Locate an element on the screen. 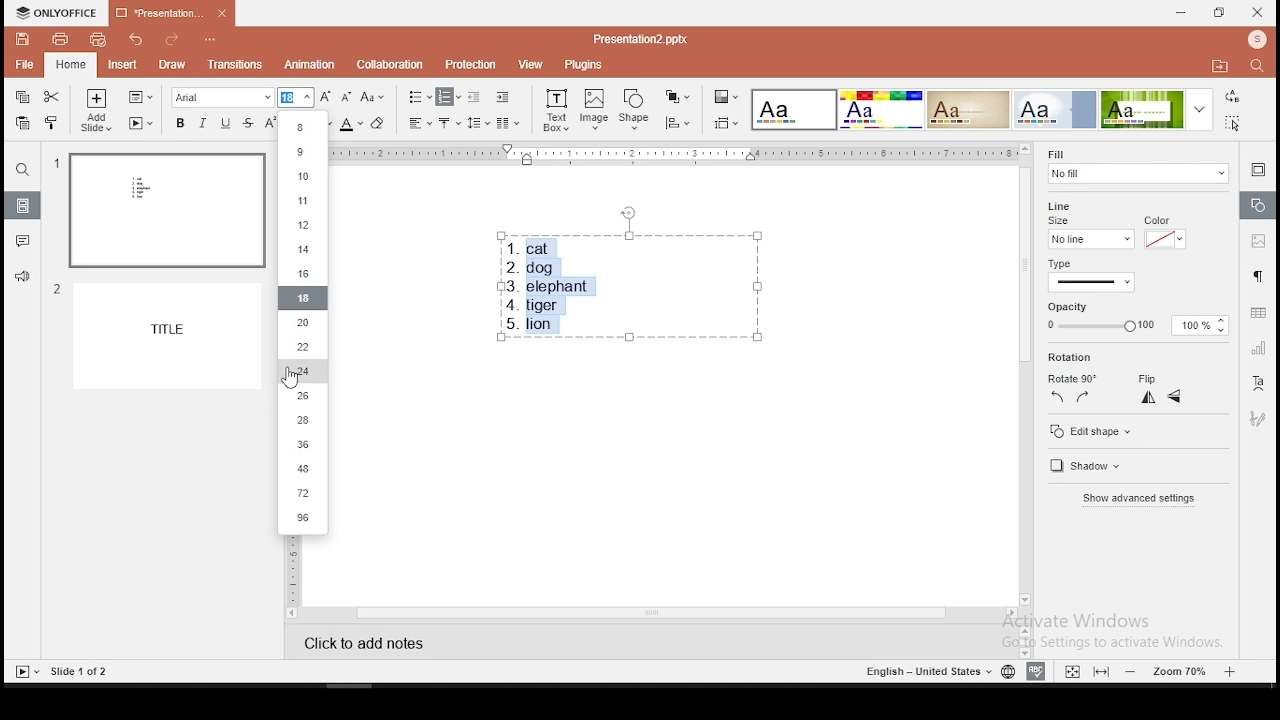 This screenshot has height=720, width=1280. clone formatting is located at coordinates (52, 122).